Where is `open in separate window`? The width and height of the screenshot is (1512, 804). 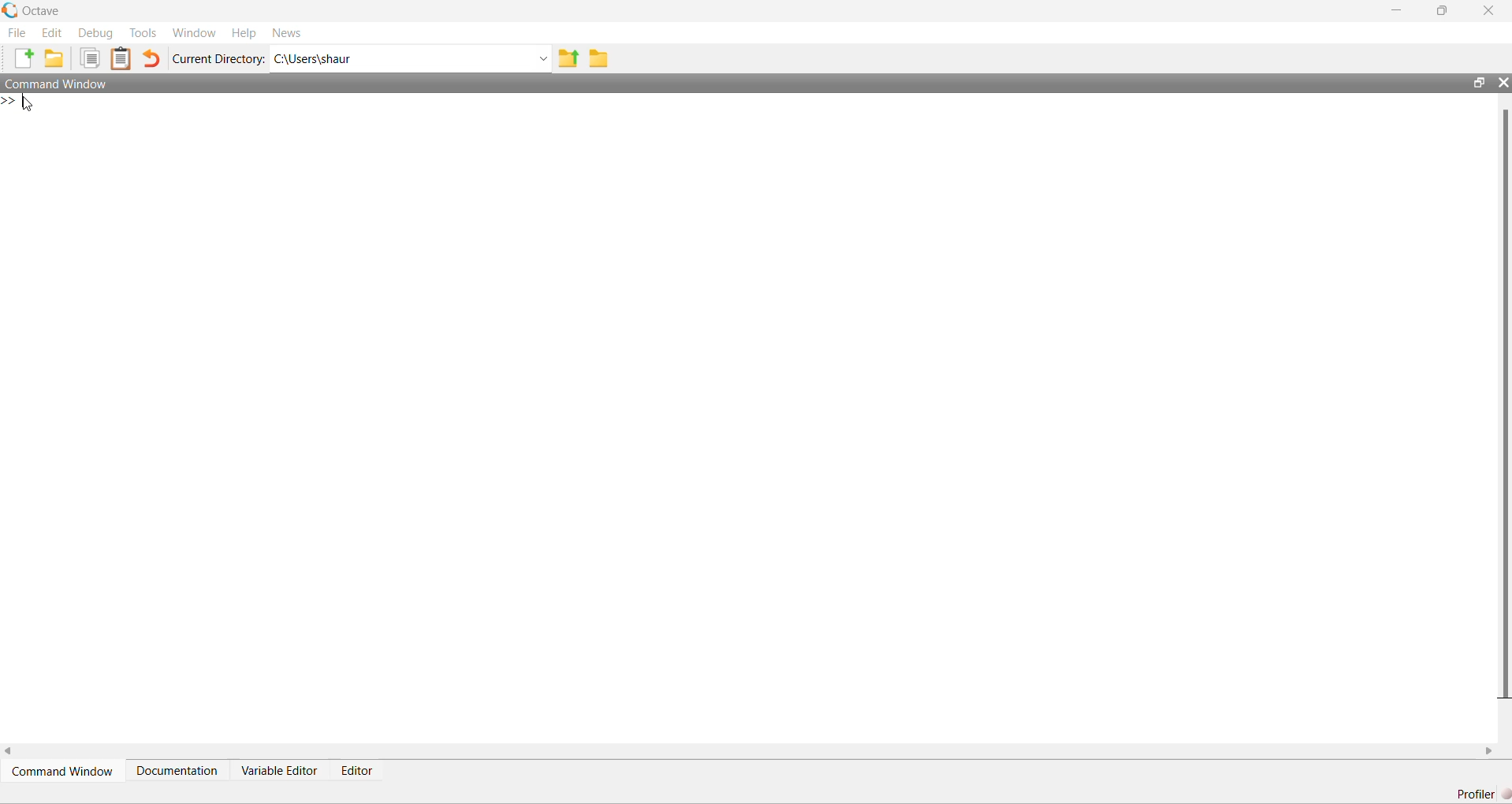
open in separate window is located at coordinates (1478, 83).